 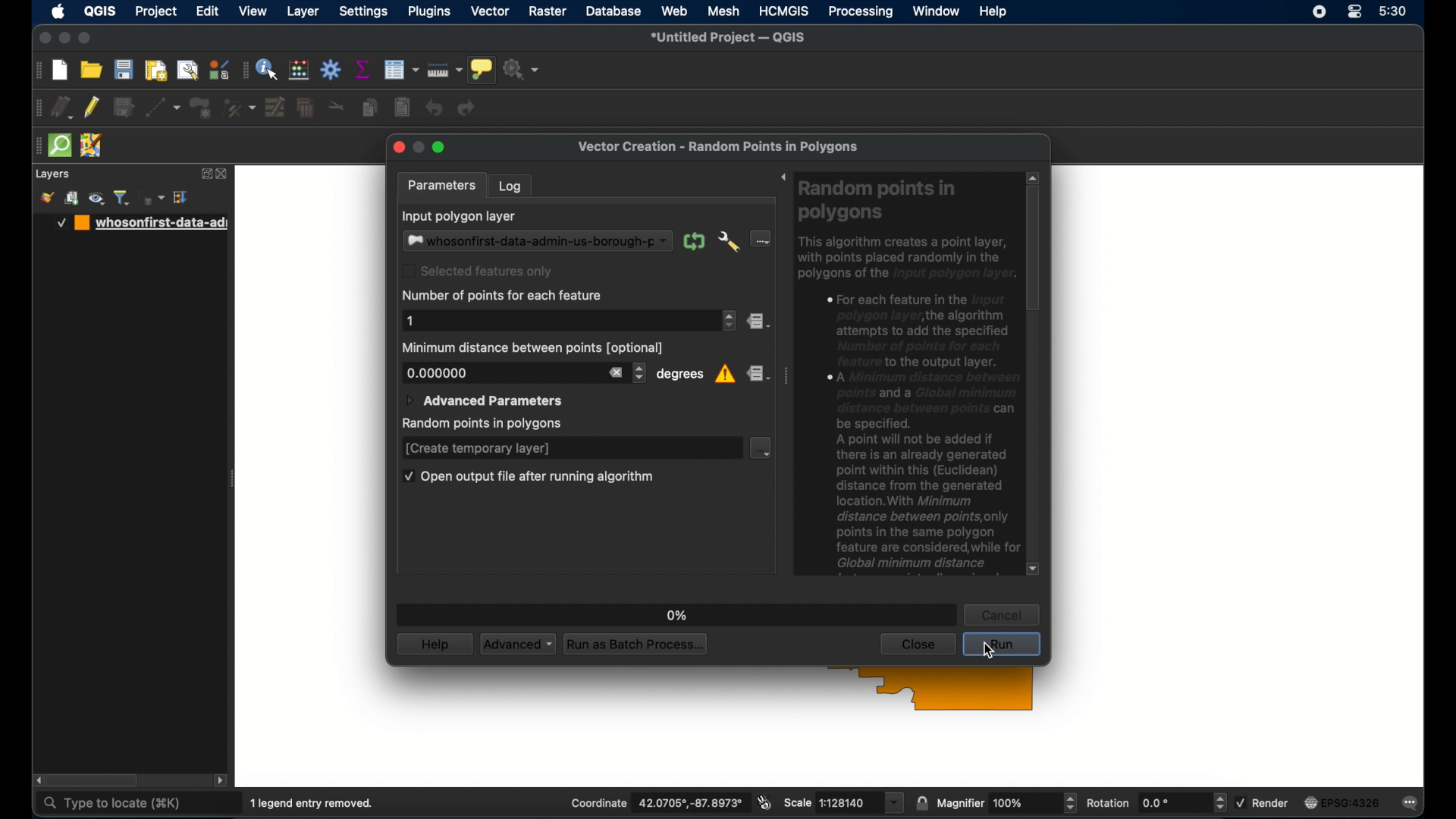 I want to click on selected features  only, so click(x=479, y=271).